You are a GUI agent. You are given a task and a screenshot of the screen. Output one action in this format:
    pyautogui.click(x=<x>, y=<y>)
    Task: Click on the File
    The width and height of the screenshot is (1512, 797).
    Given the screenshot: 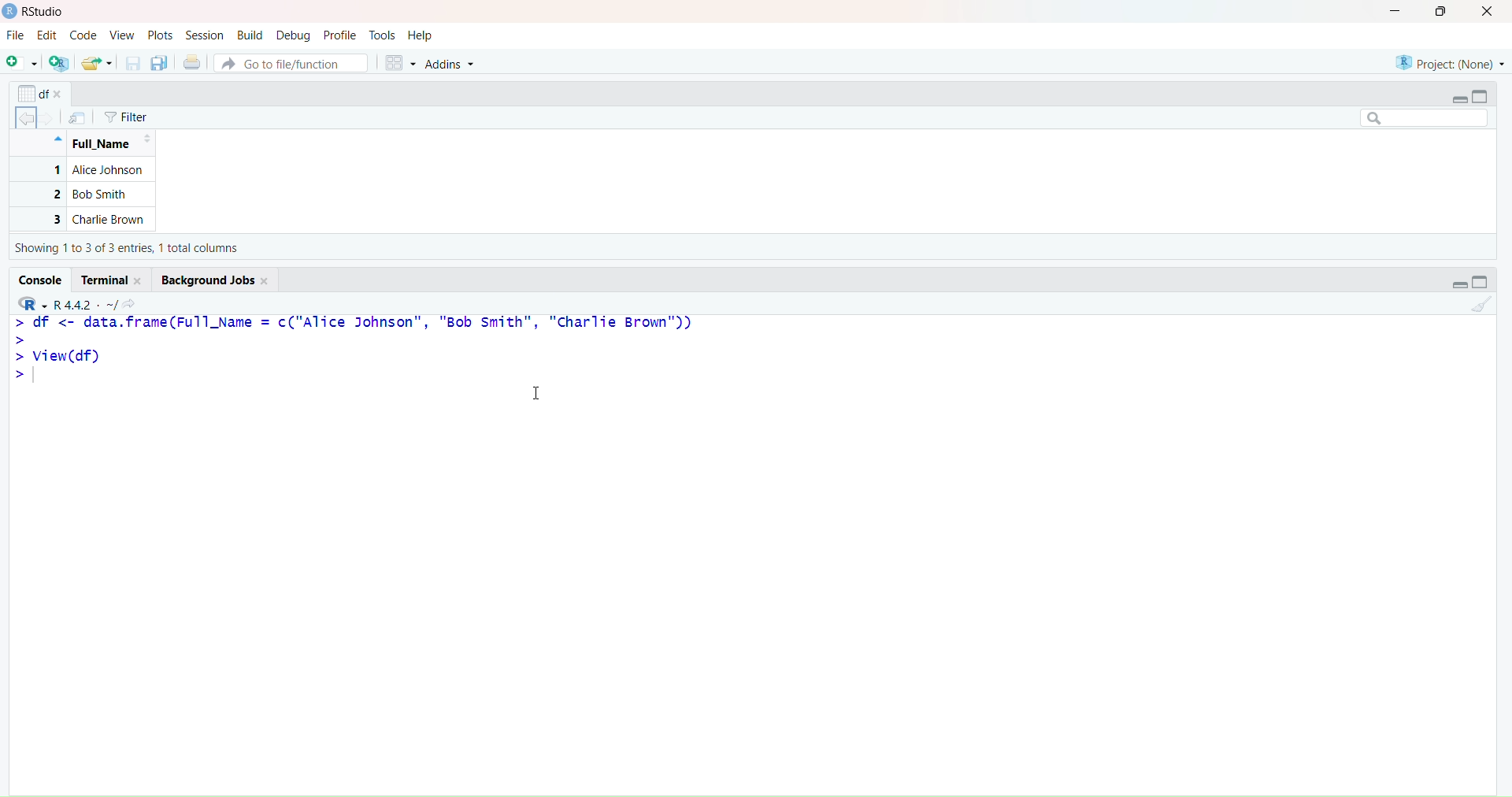 What is the action you would take?
    pyautogui.click(x=17, y=36)
    